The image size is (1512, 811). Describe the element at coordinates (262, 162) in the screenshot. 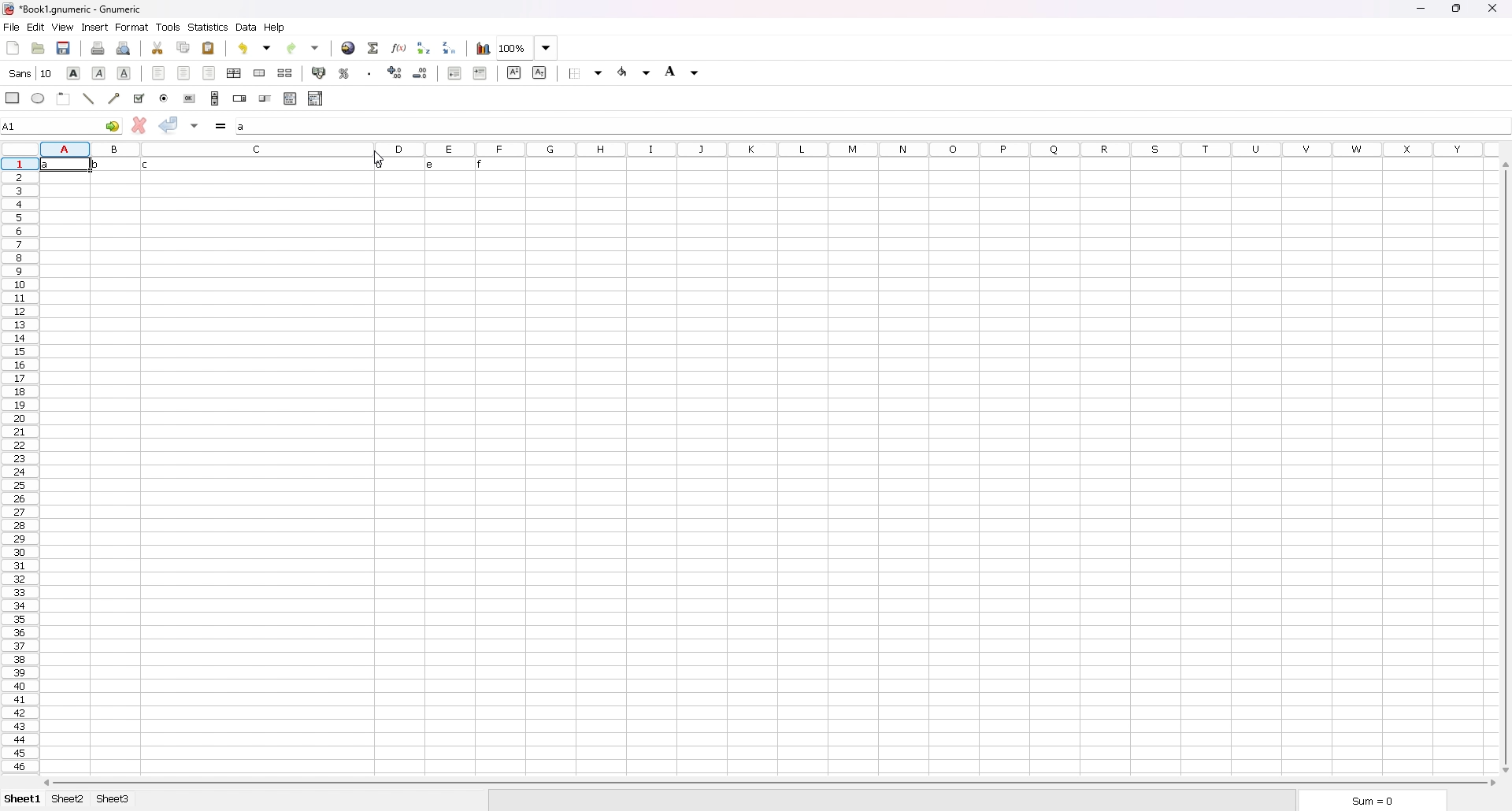

I see `TEXT` at that location.